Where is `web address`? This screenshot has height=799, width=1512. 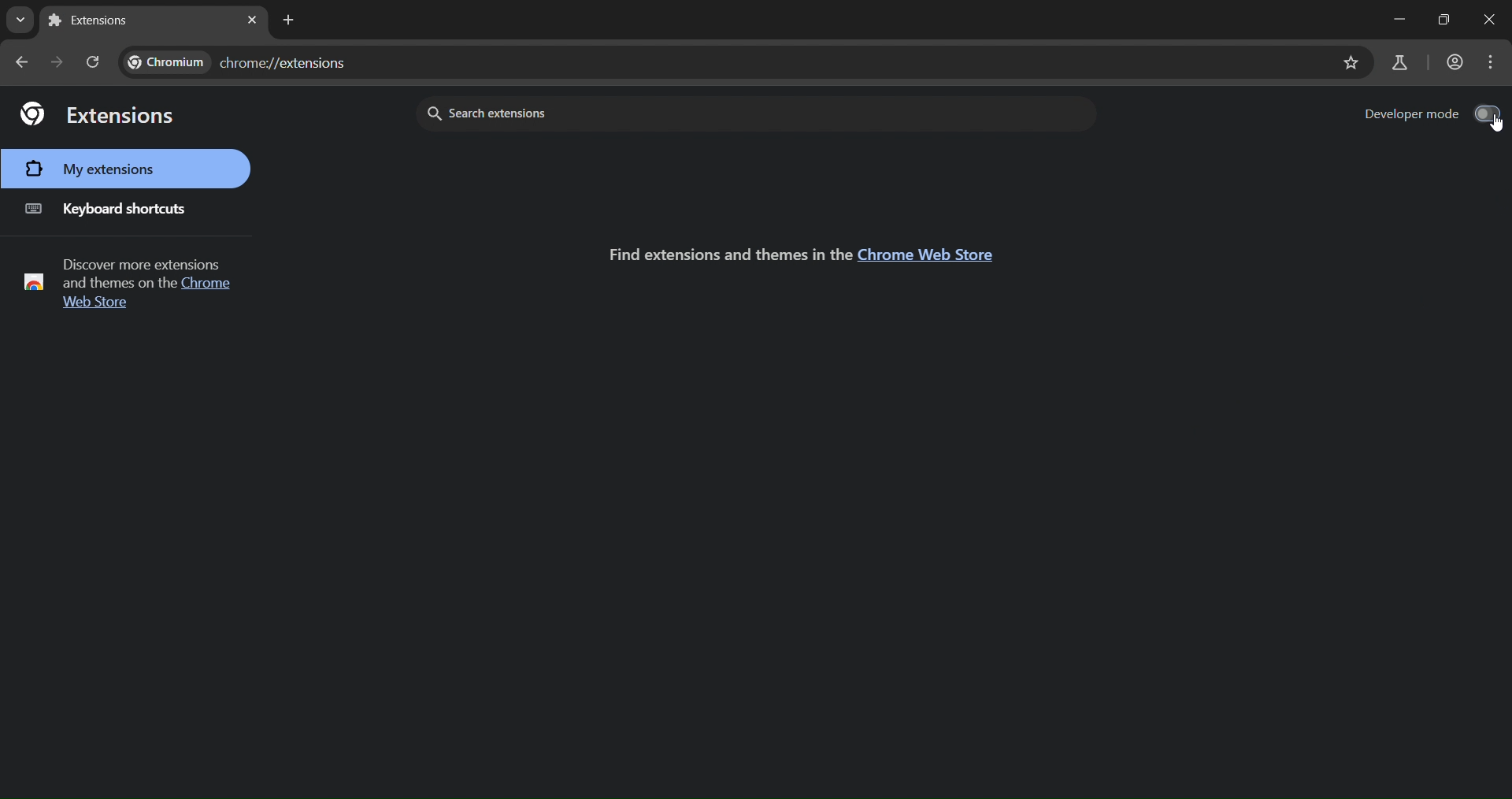 web address is located at coordinates (239, 61).